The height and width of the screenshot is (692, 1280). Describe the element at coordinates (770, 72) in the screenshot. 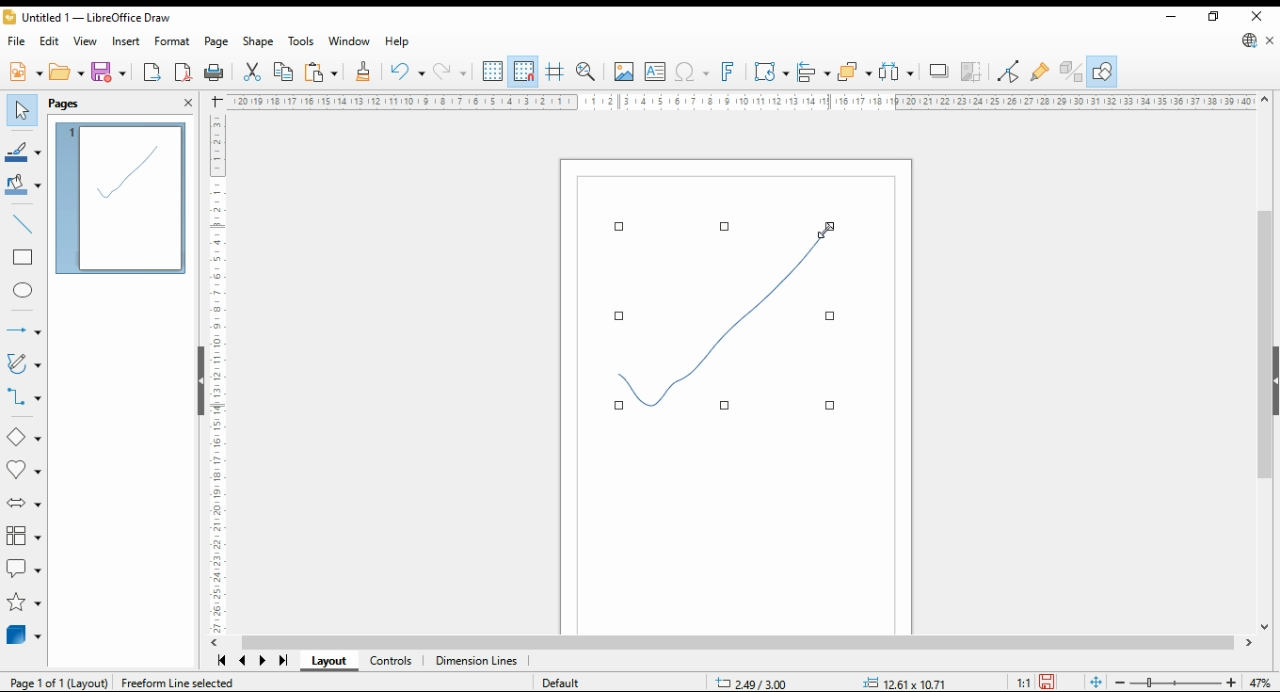

I see `transformations` at that location.